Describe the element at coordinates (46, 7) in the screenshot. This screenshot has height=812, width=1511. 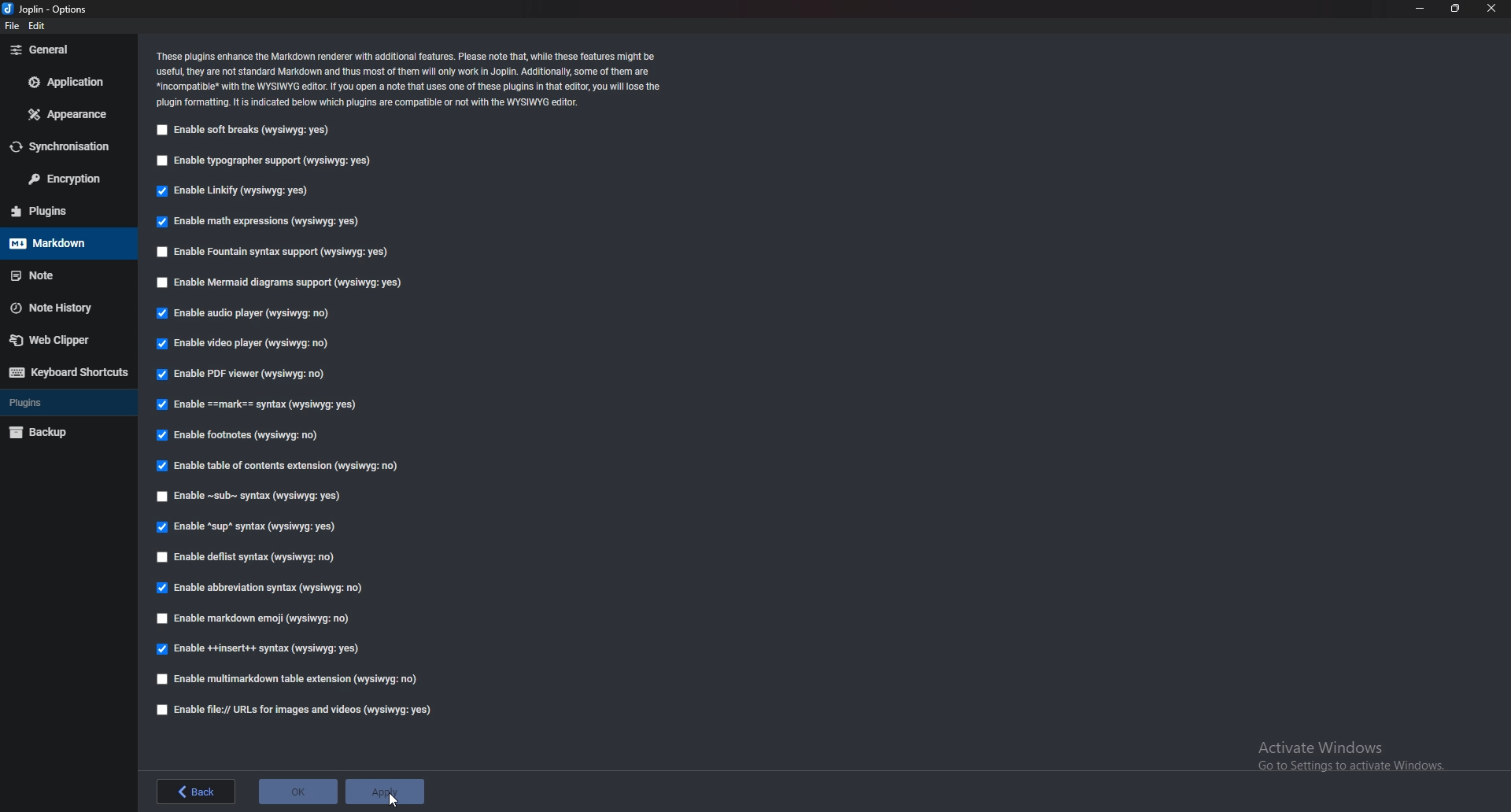
I see `options` at that location.